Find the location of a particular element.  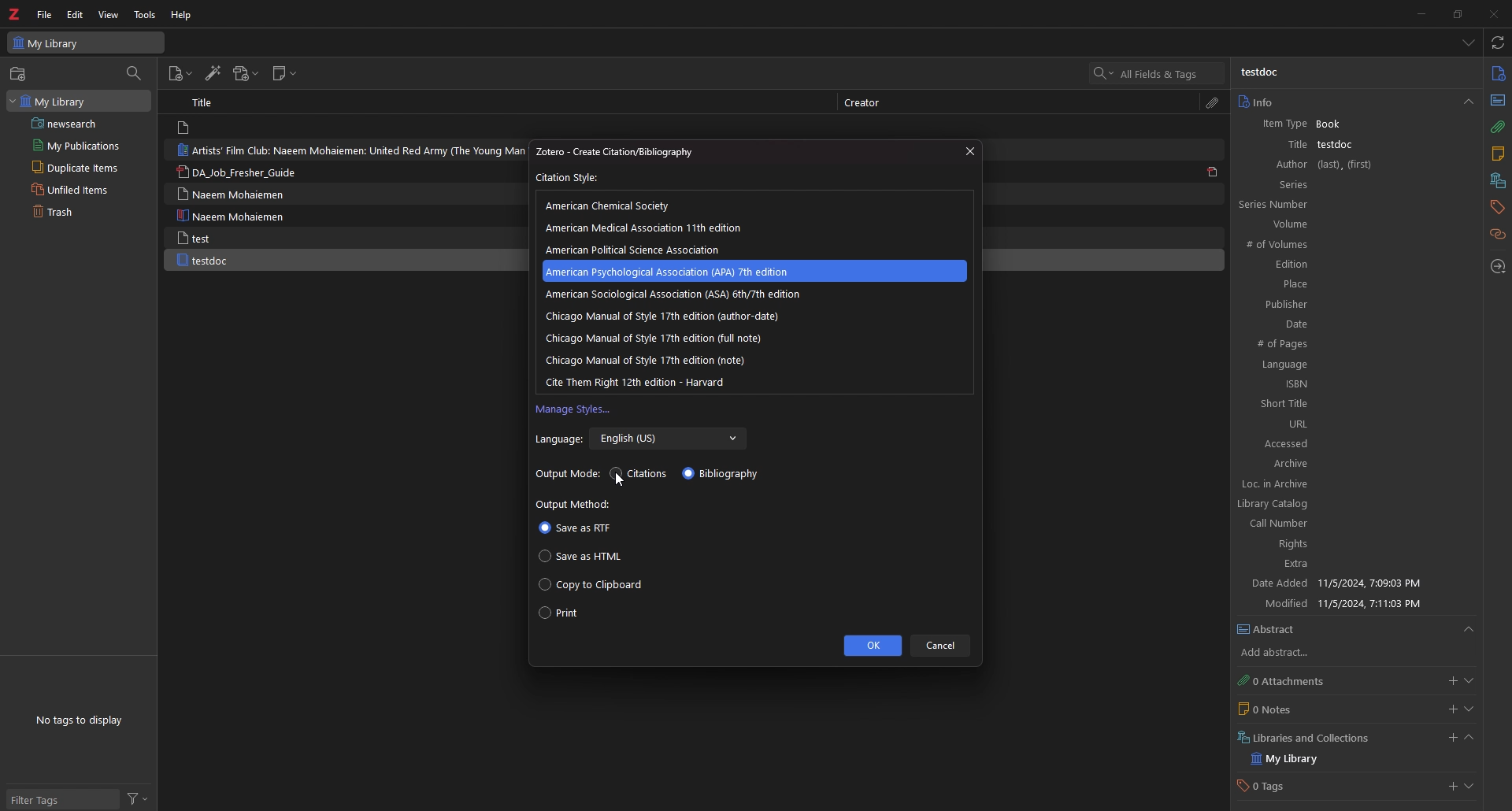

add attachment is located at coordinates (1450, 681).